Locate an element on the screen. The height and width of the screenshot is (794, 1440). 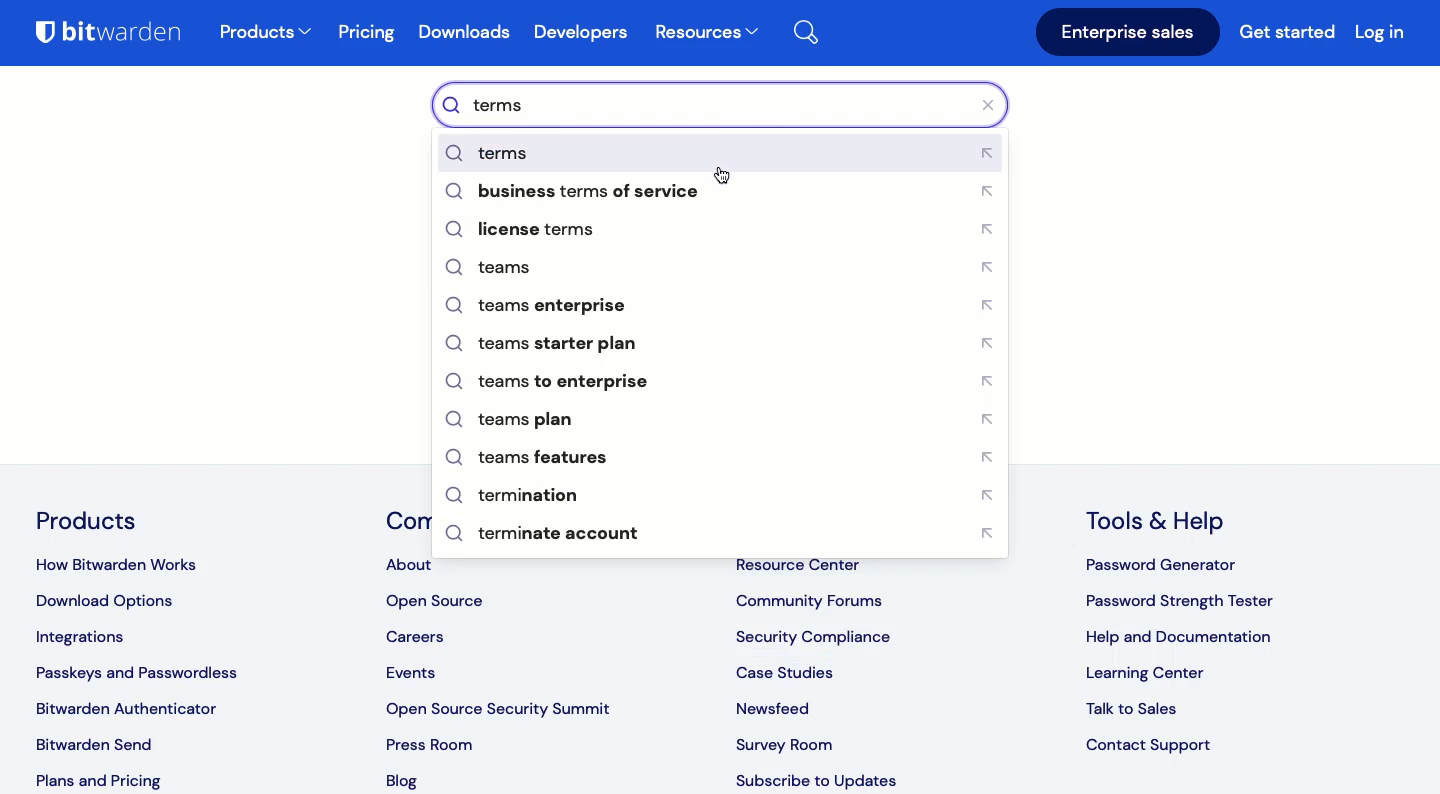
Log in is located at coordinates (1380, 31).